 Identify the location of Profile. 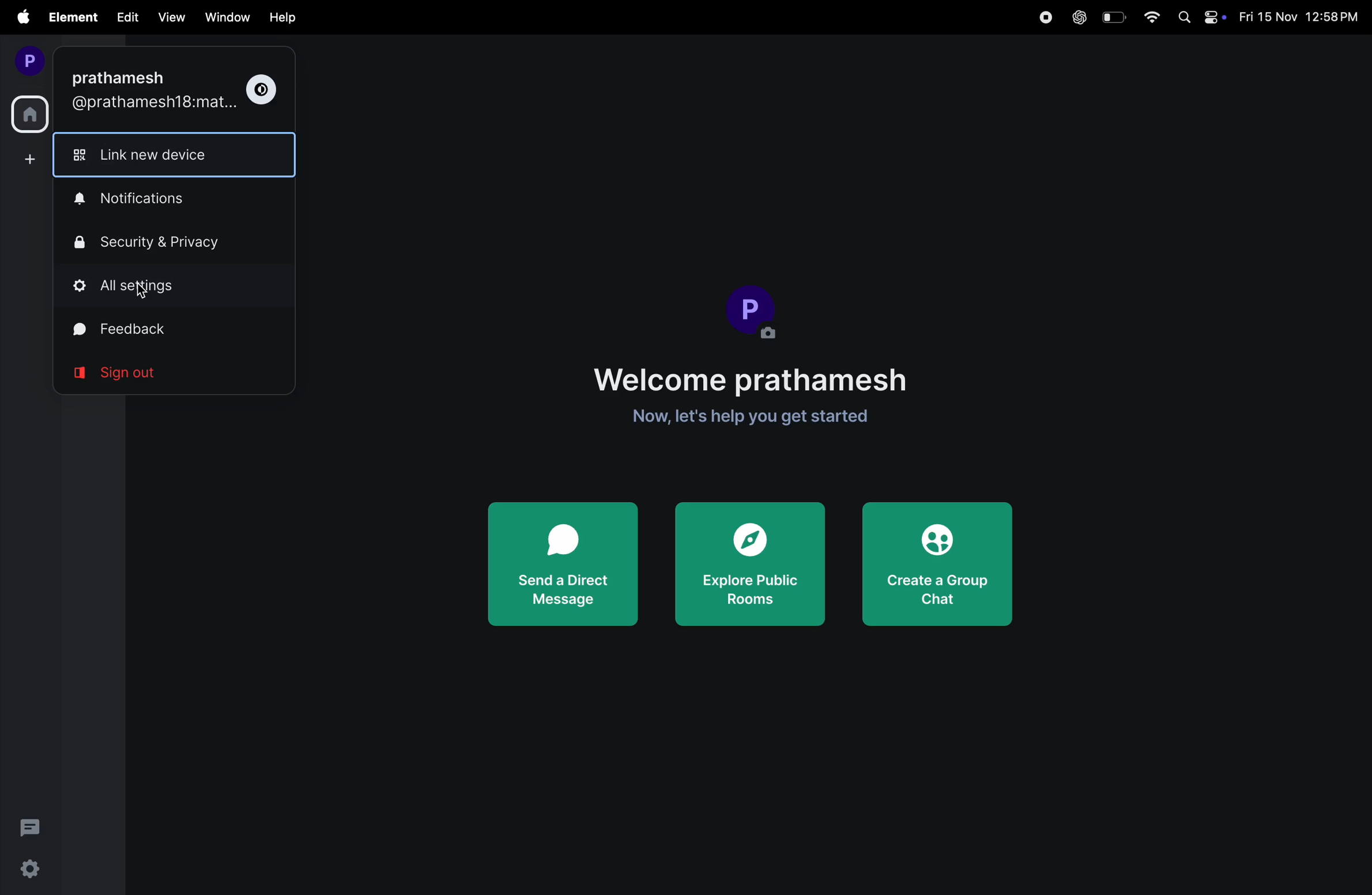
(753, 310).